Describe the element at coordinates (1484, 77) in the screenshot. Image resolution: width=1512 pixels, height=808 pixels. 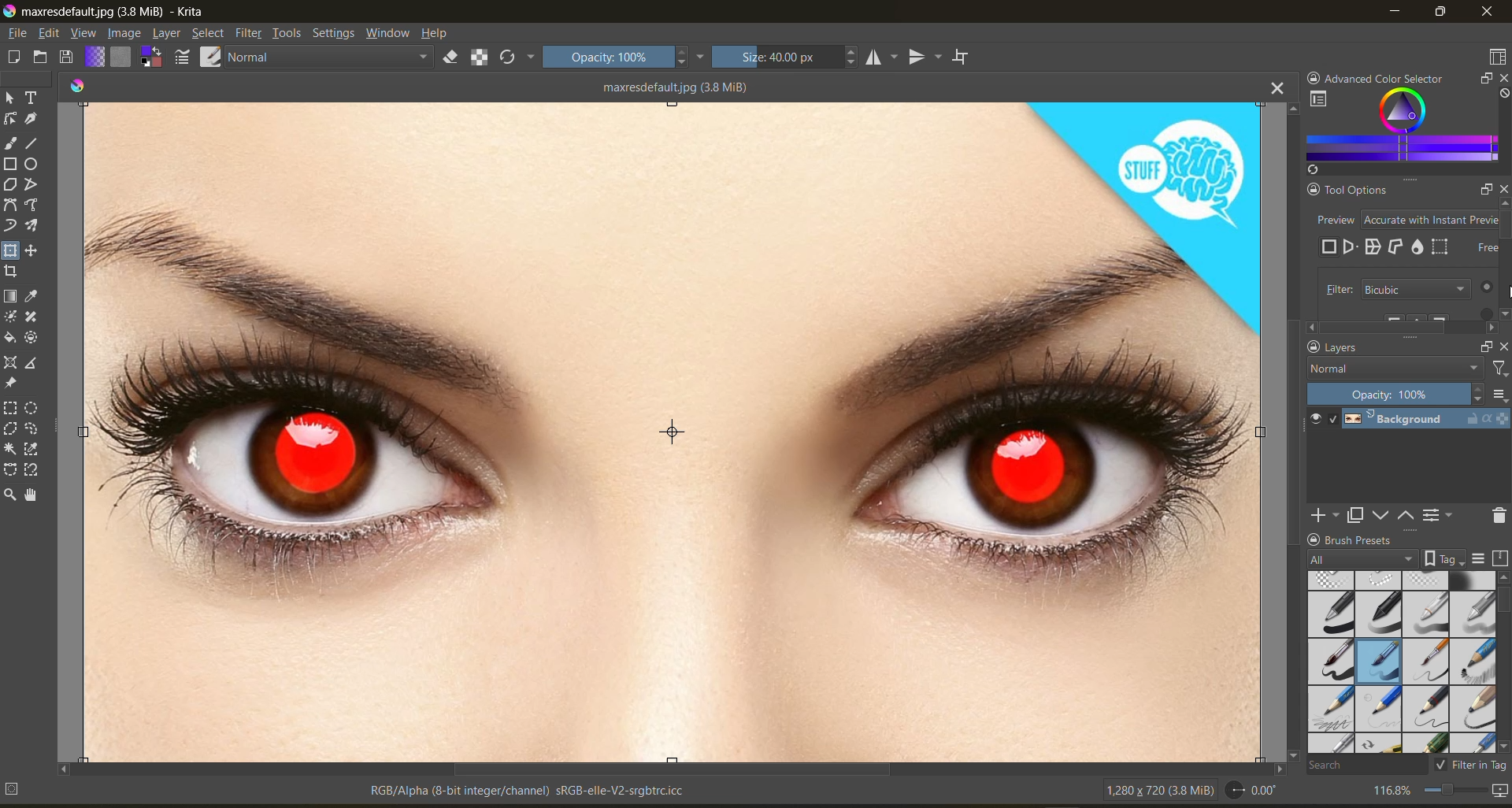
I see `float docker` at that location.